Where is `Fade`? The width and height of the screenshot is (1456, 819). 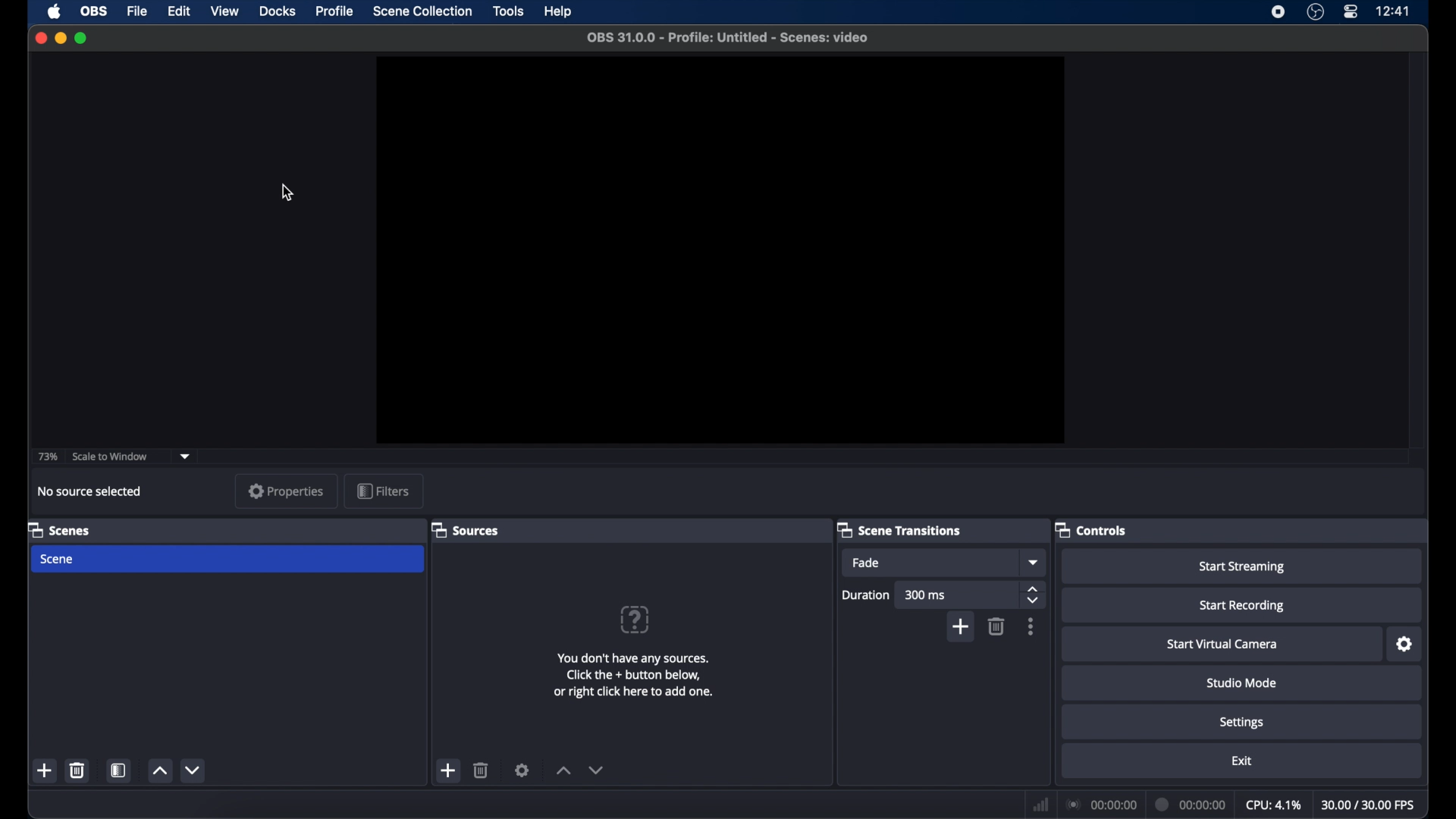 Fade is located at coordinates (945, 563).